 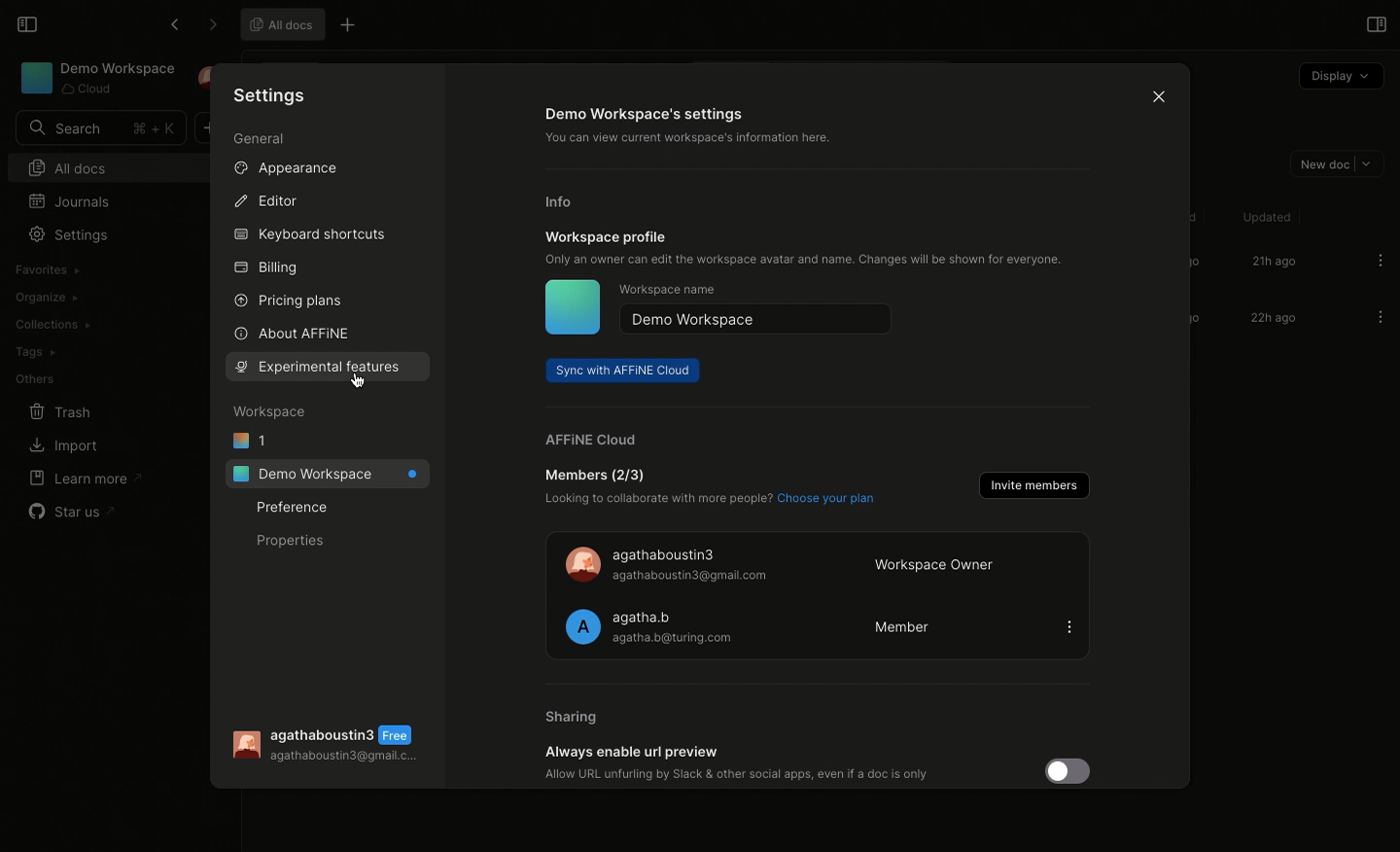 I want to click on All docs, so click(x=94, y=167).